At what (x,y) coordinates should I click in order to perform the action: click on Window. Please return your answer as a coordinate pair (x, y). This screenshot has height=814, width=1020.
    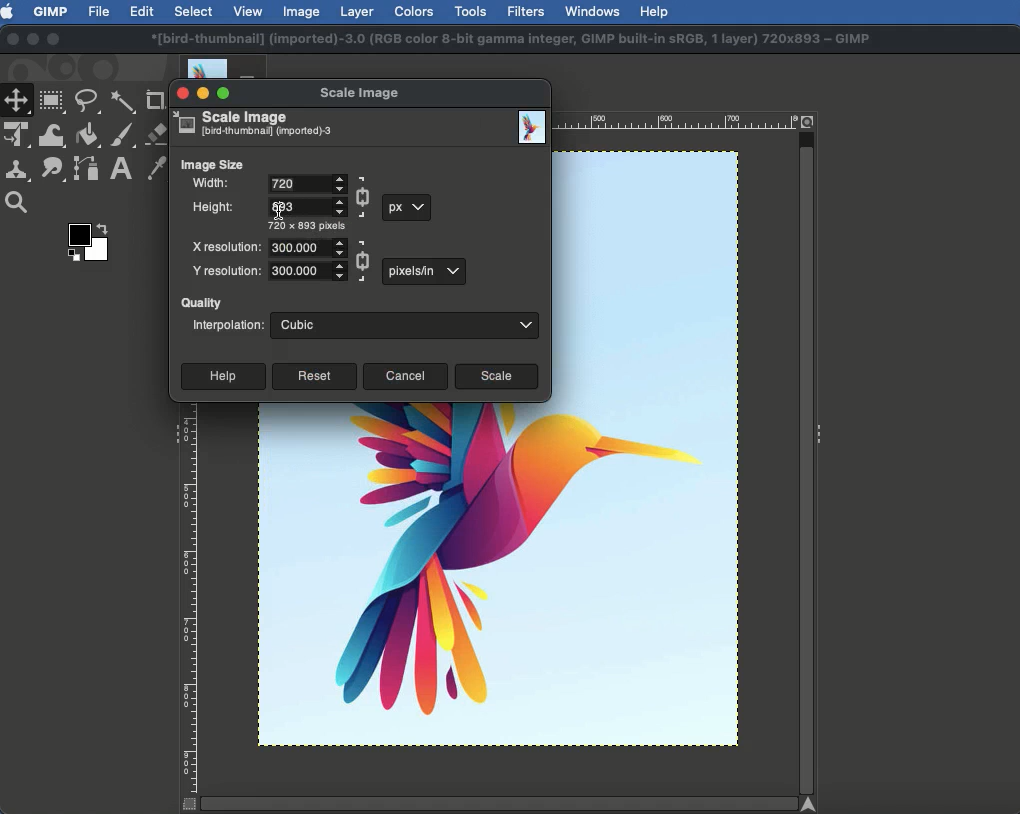
    Looking at the image, I should click on (595, 10).